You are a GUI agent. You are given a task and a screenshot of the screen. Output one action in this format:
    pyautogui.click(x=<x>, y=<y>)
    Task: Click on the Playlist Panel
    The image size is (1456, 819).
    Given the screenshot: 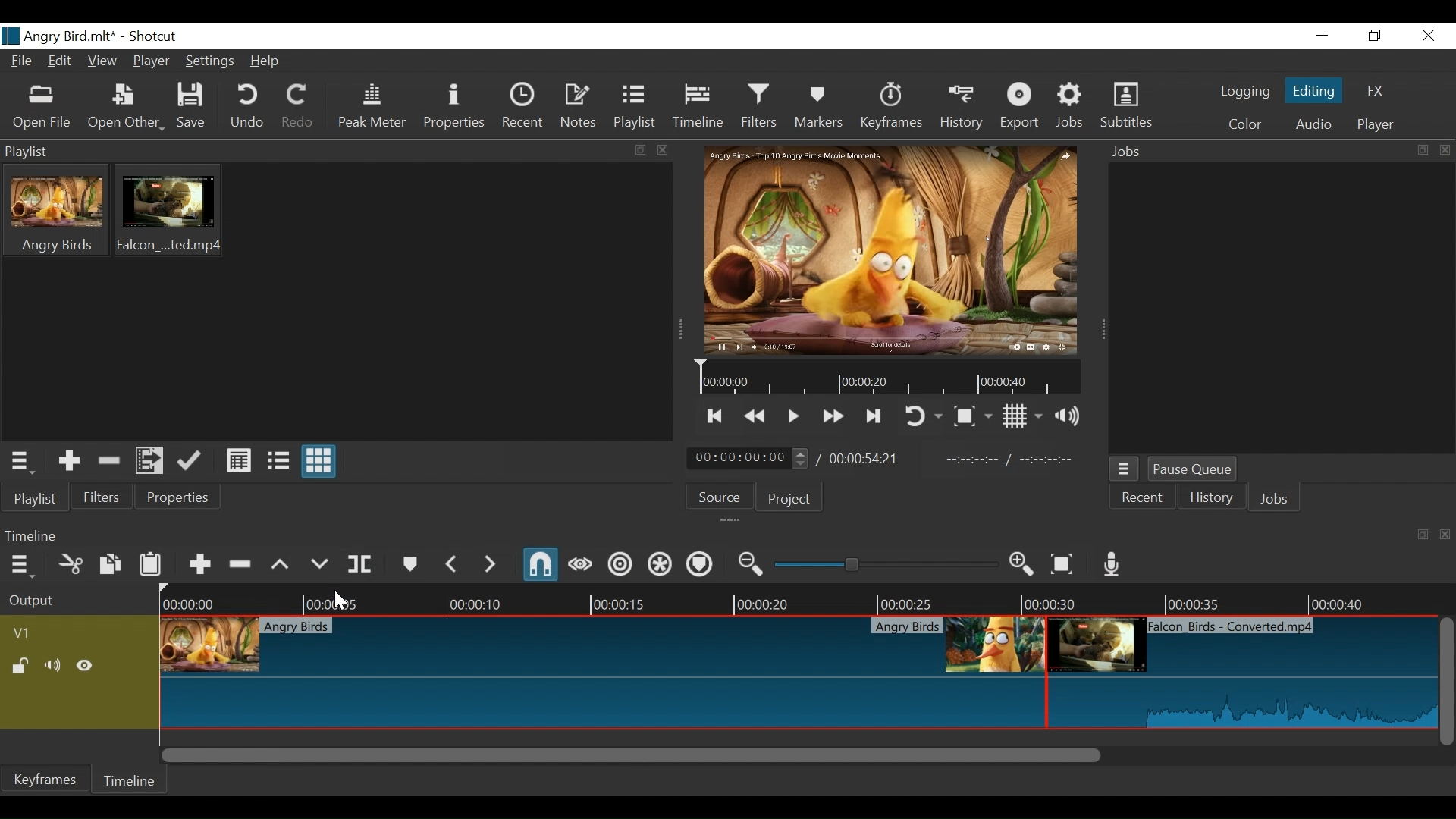 What is the action you would take?
    pyautogui.click(x=337, y=152)
    